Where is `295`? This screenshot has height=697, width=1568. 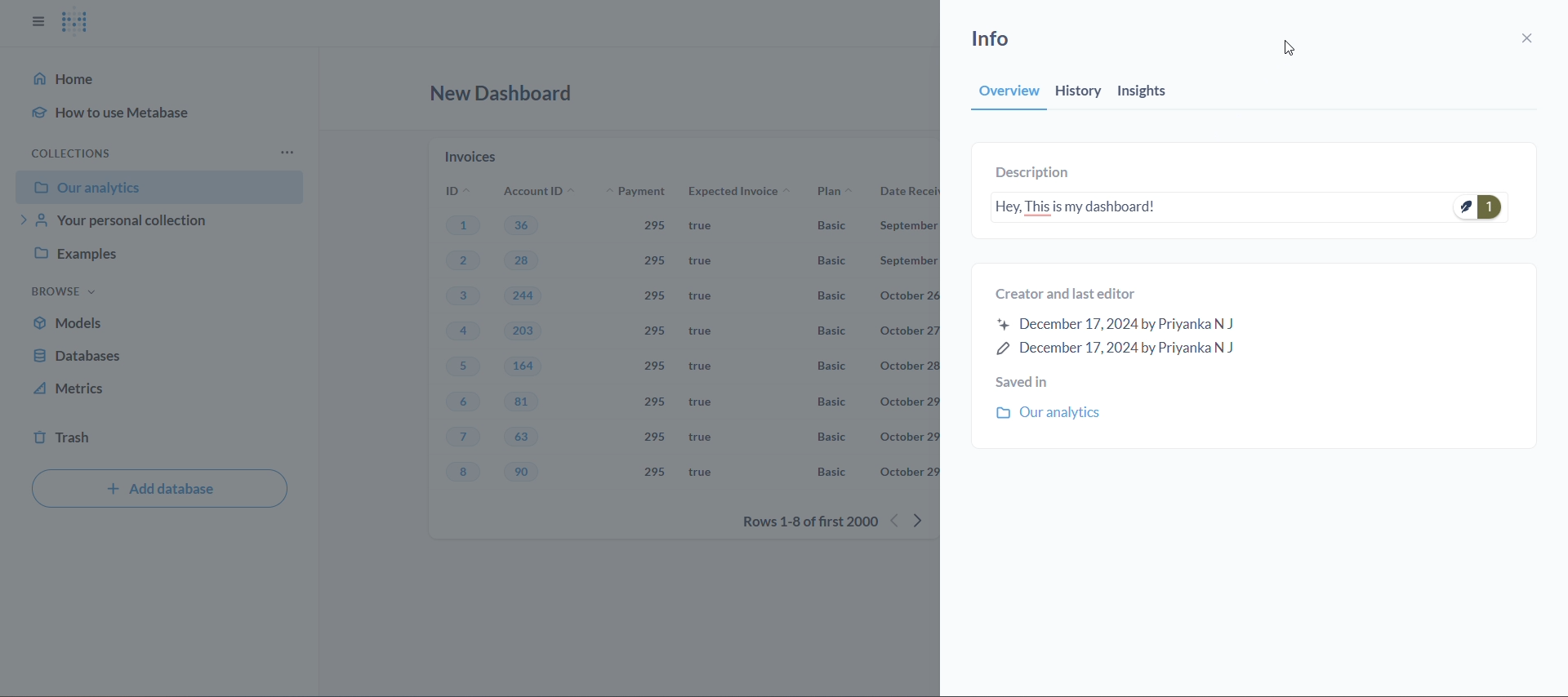
295 is located at coordinates (659, 366).